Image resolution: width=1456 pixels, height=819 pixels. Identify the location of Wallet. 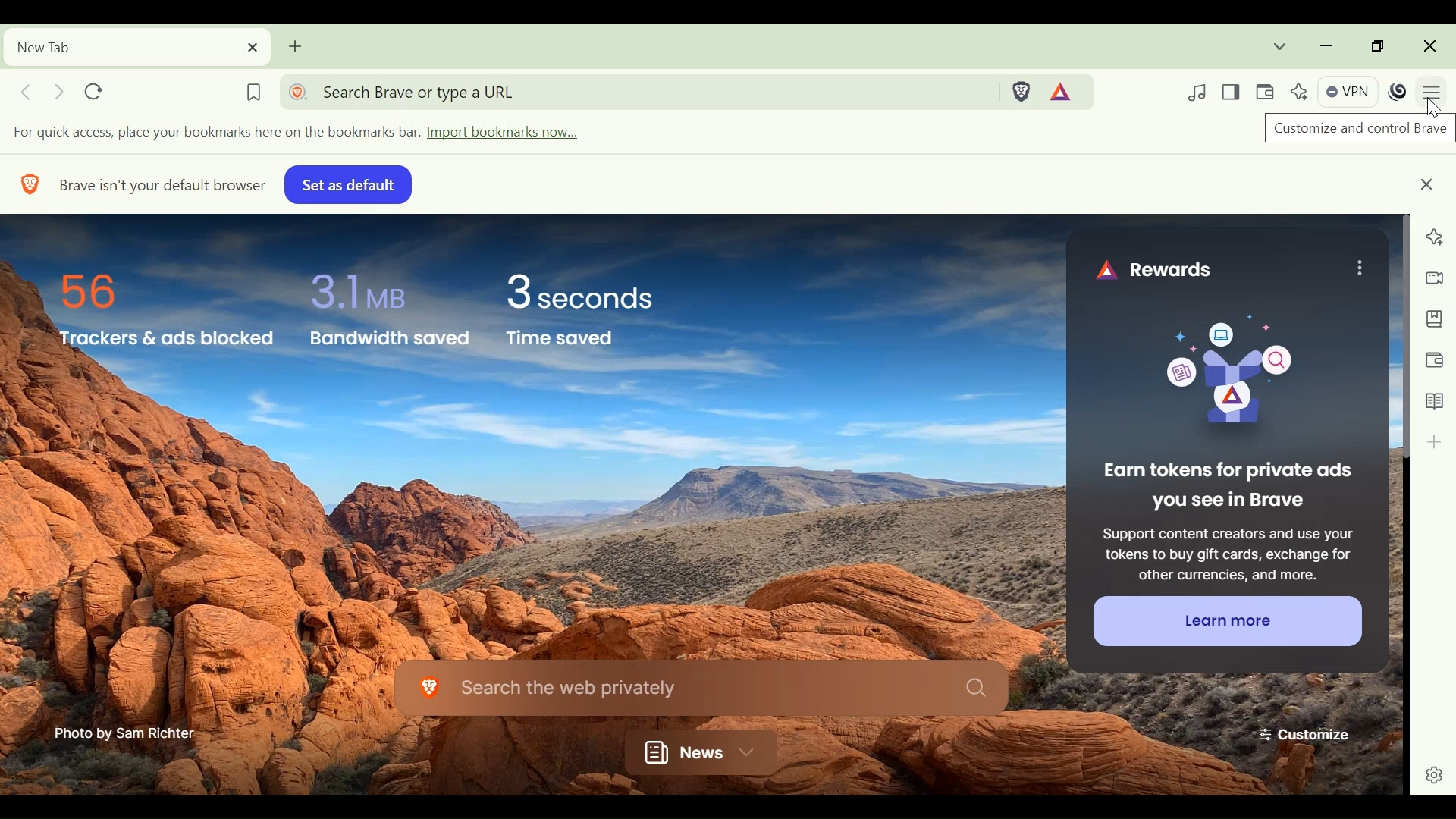
(1266, 91).